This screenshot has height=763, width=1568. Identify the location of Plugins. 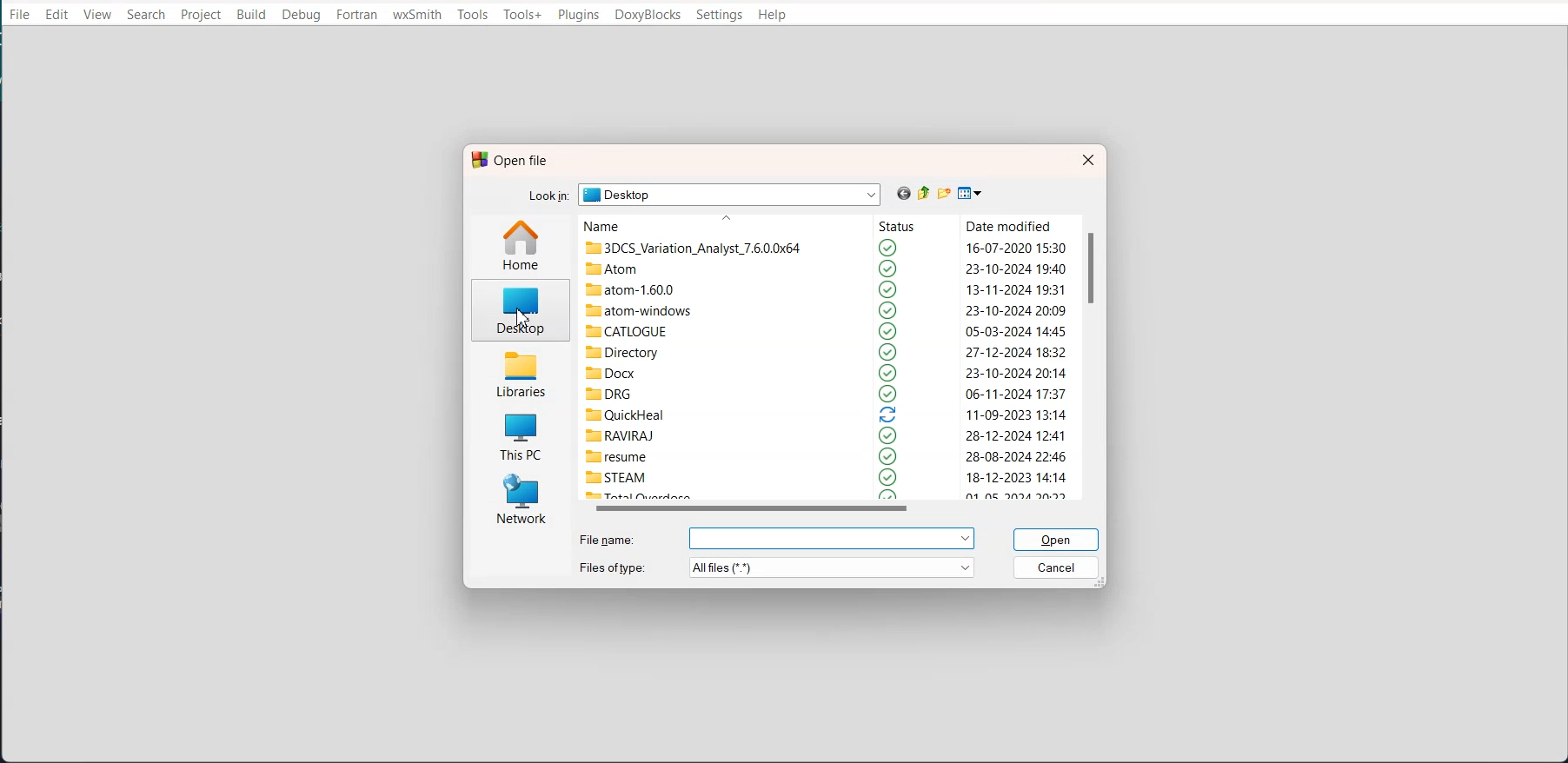
(578, 15).